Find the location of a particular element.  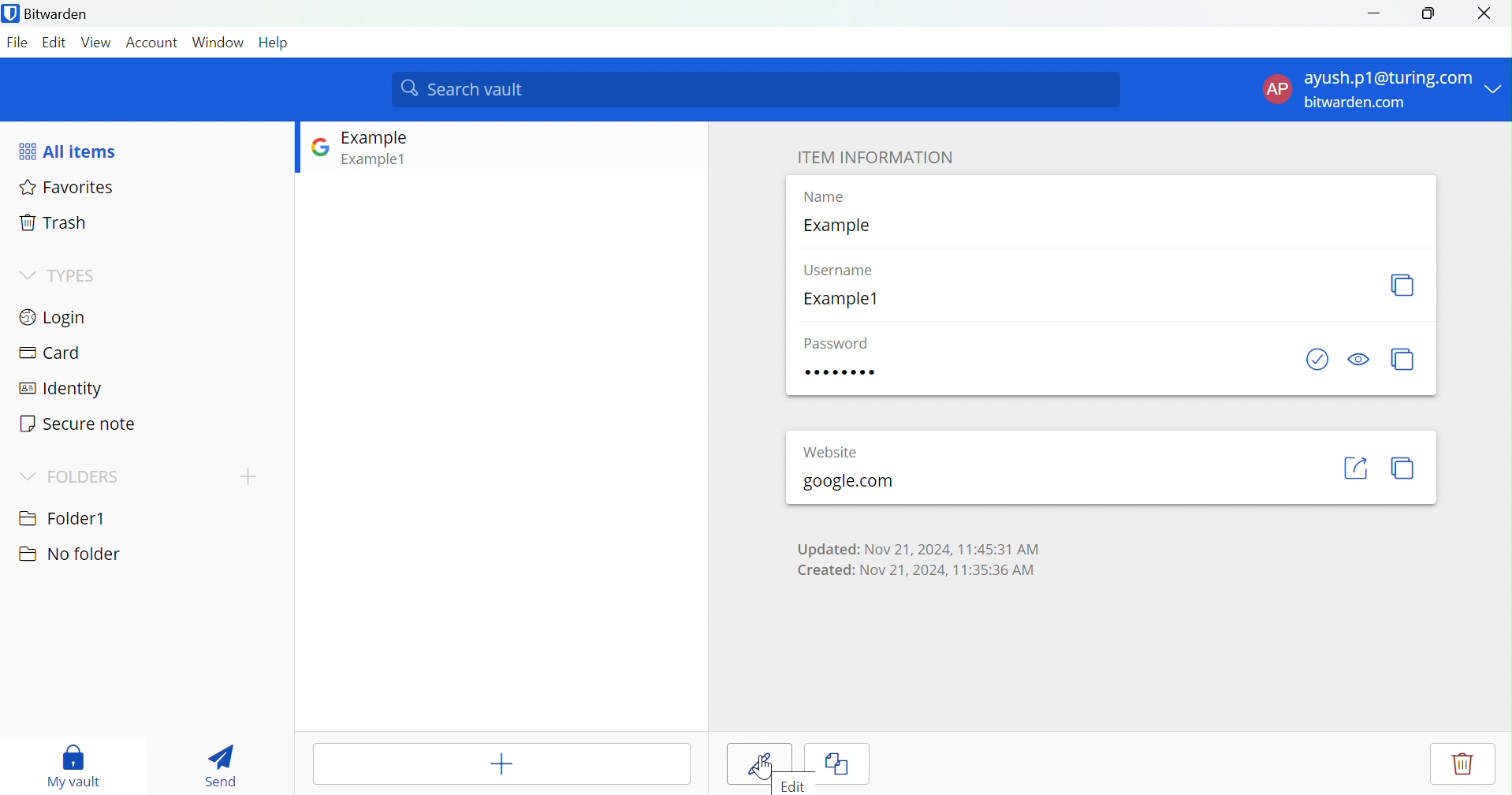

Identity is located at coordinates (62, 390).